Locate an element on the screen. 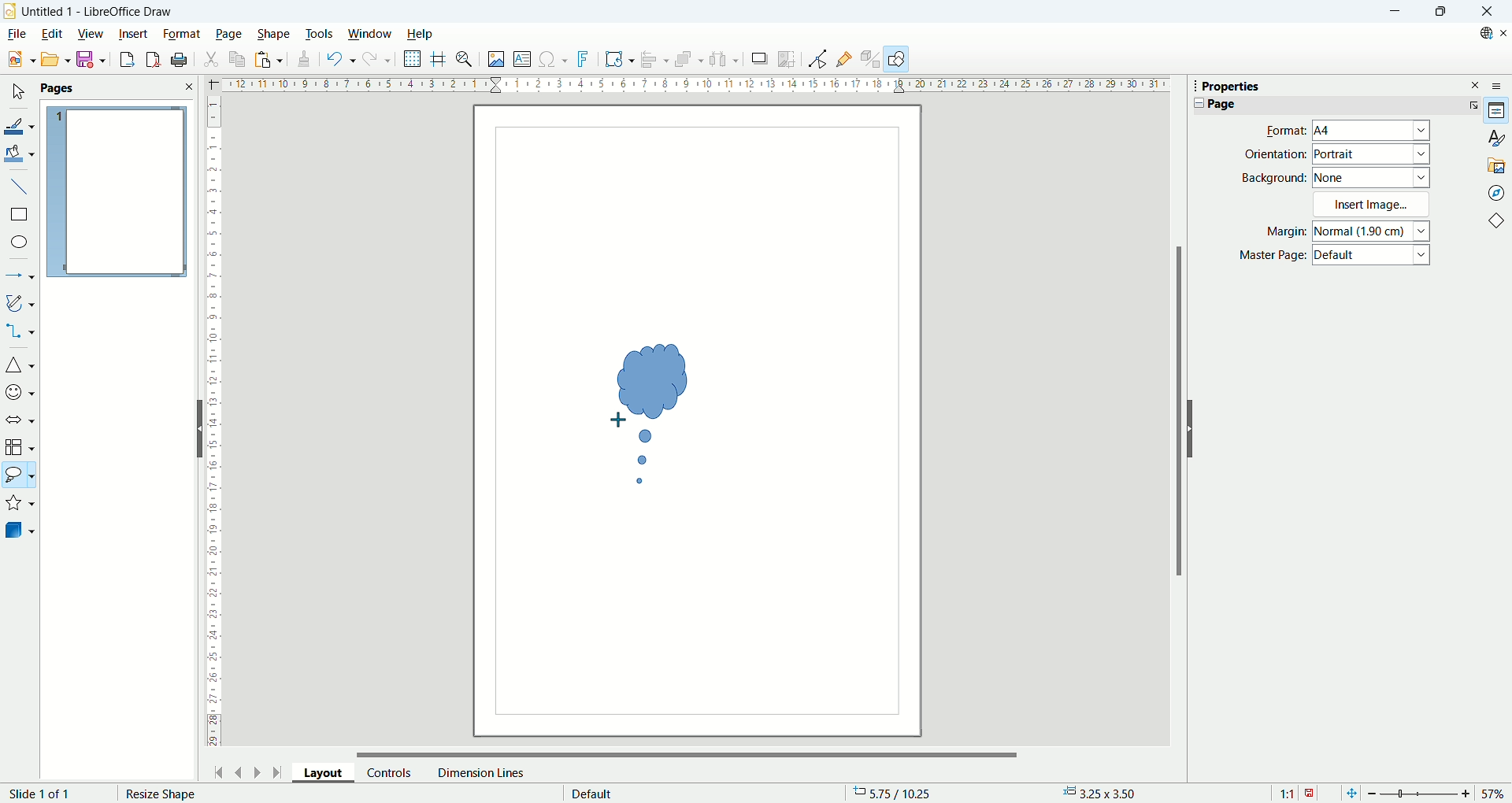 The width and height of the screenshot is (1512, 803). solid arrow is located at coordinates (20, 418).